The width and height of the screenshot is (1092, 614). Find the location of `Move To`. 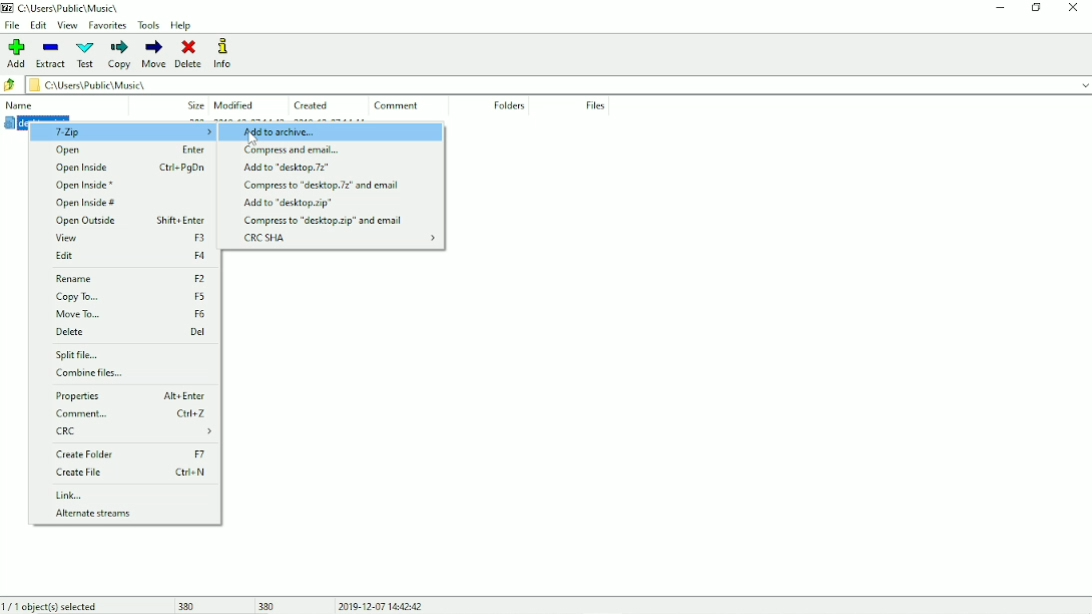

Move To is located at coordinates (129, 314).